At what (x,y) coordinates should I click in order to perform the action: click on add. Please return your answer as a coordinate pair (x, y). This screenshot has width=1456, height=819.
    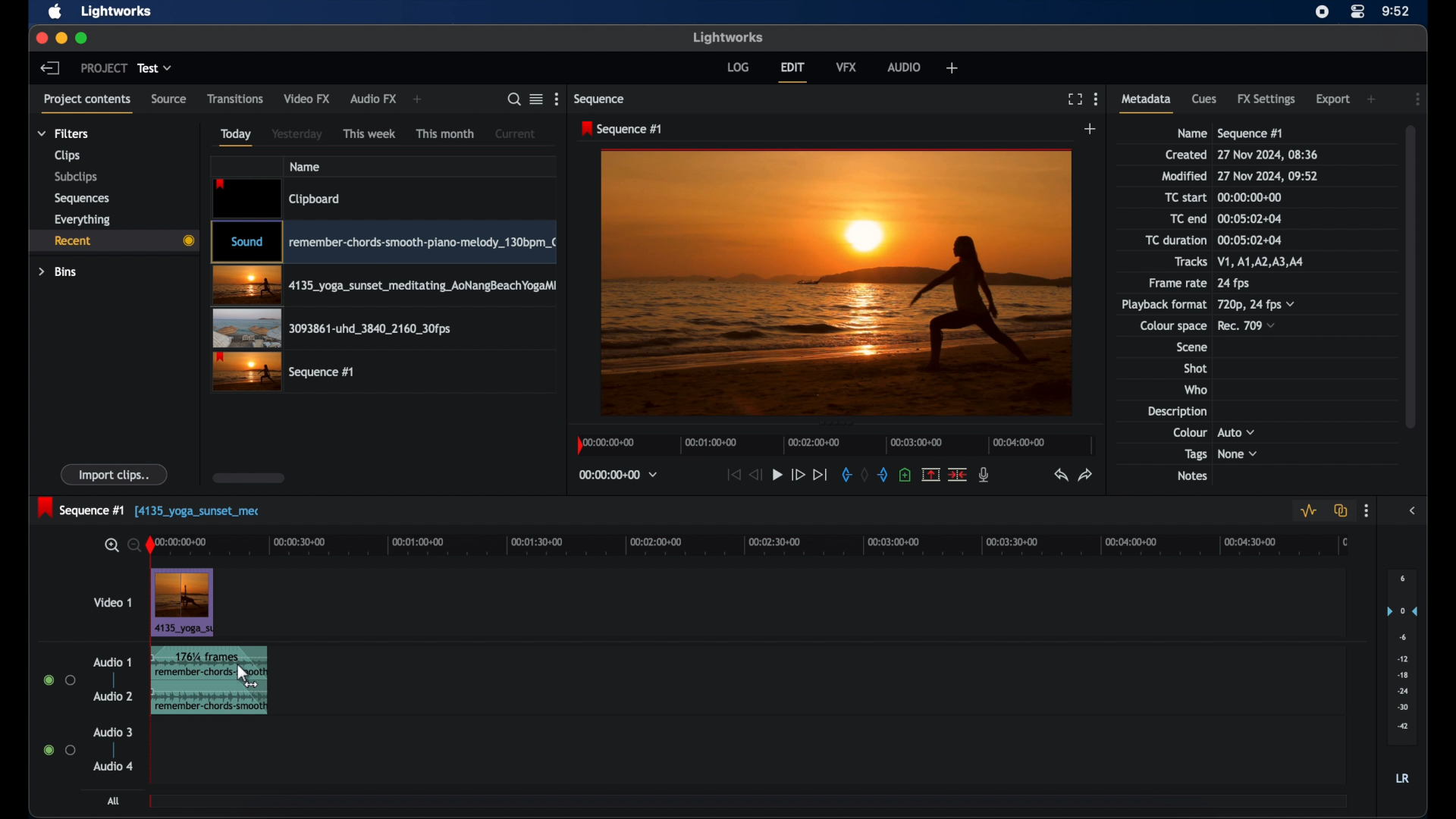
    Looking at the image, I should click on (1091, 128).